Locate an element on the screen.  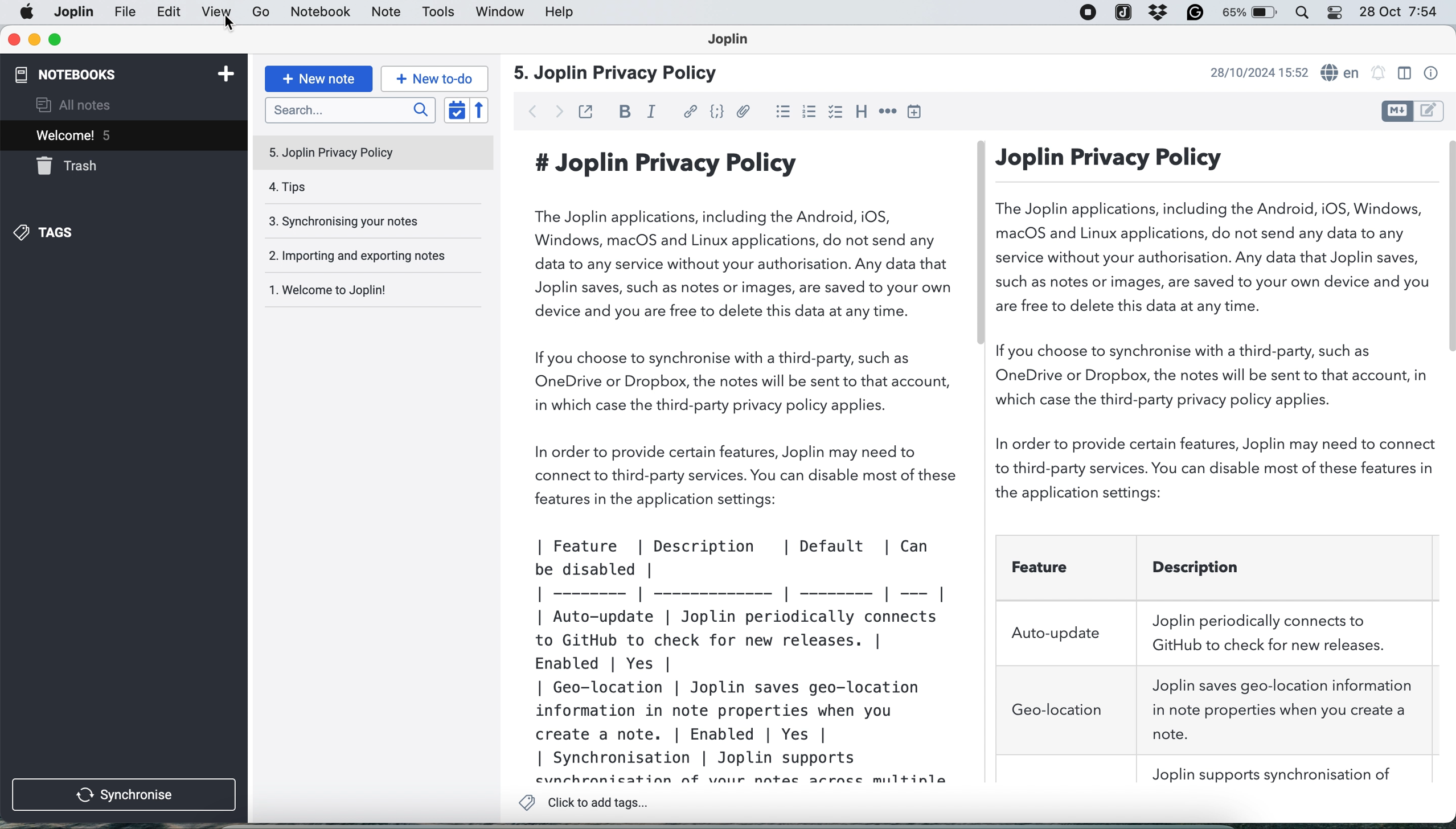
1. Welcome to Joplin is located at coordinates (367, 293).